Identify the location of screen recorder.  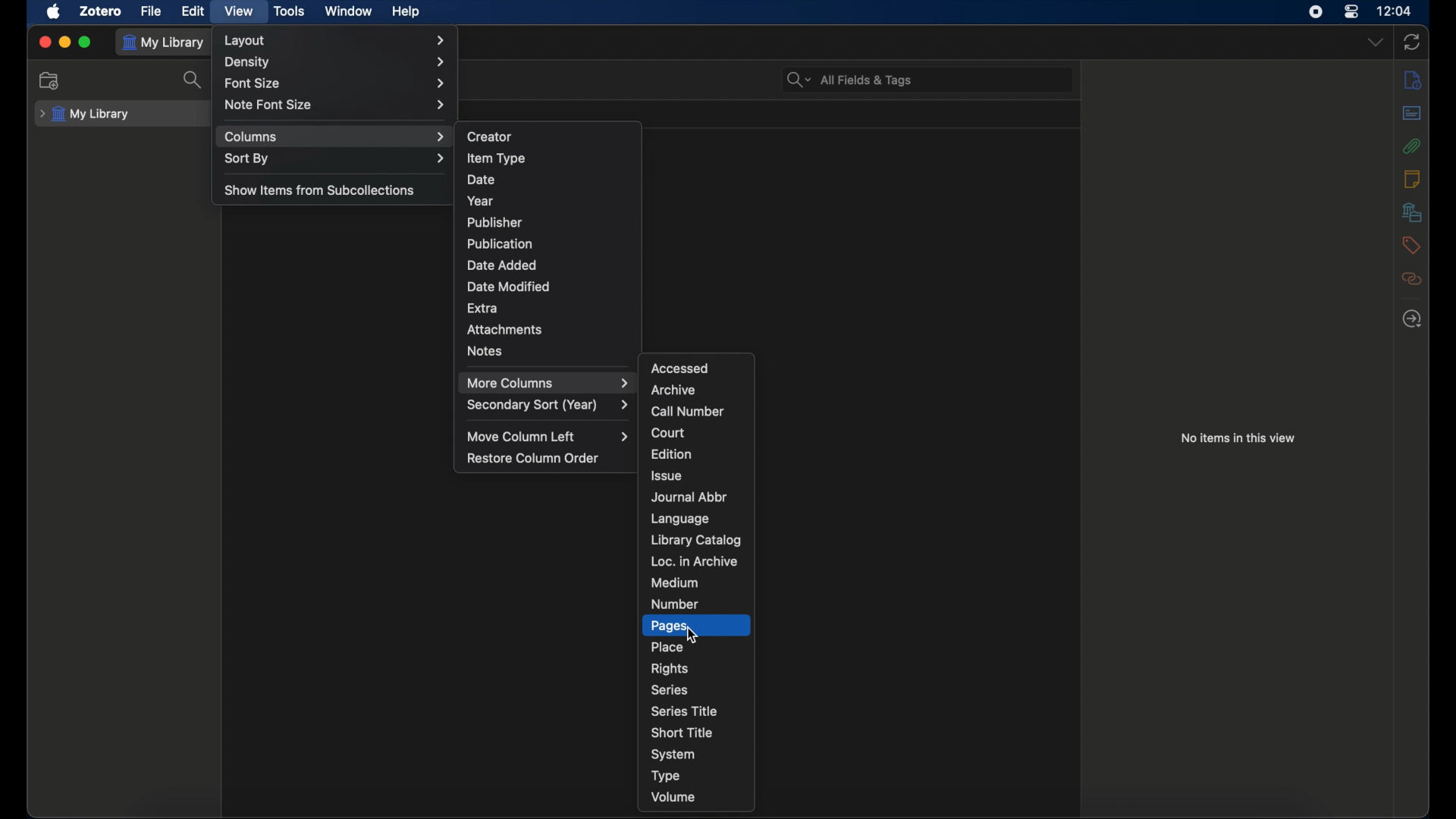
(1316, 12).